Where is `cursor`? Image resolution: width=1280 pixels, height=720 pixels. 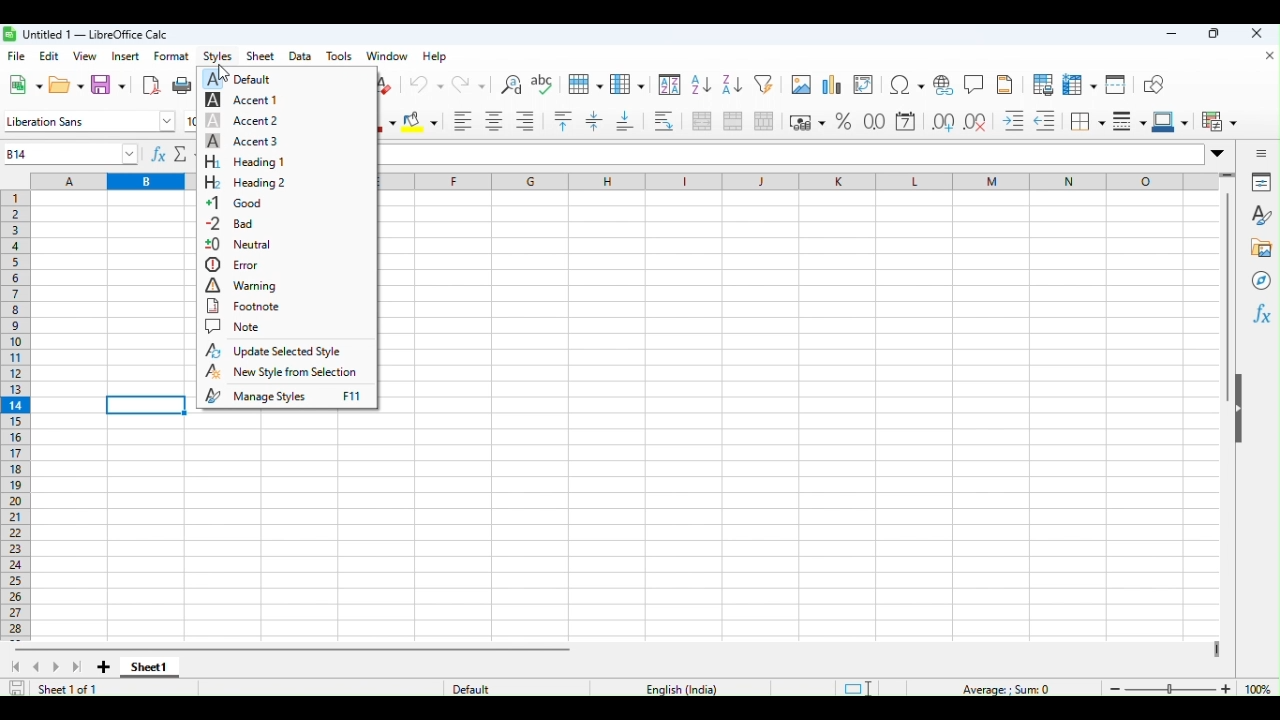 cursor is located at coordinates (227, 74).